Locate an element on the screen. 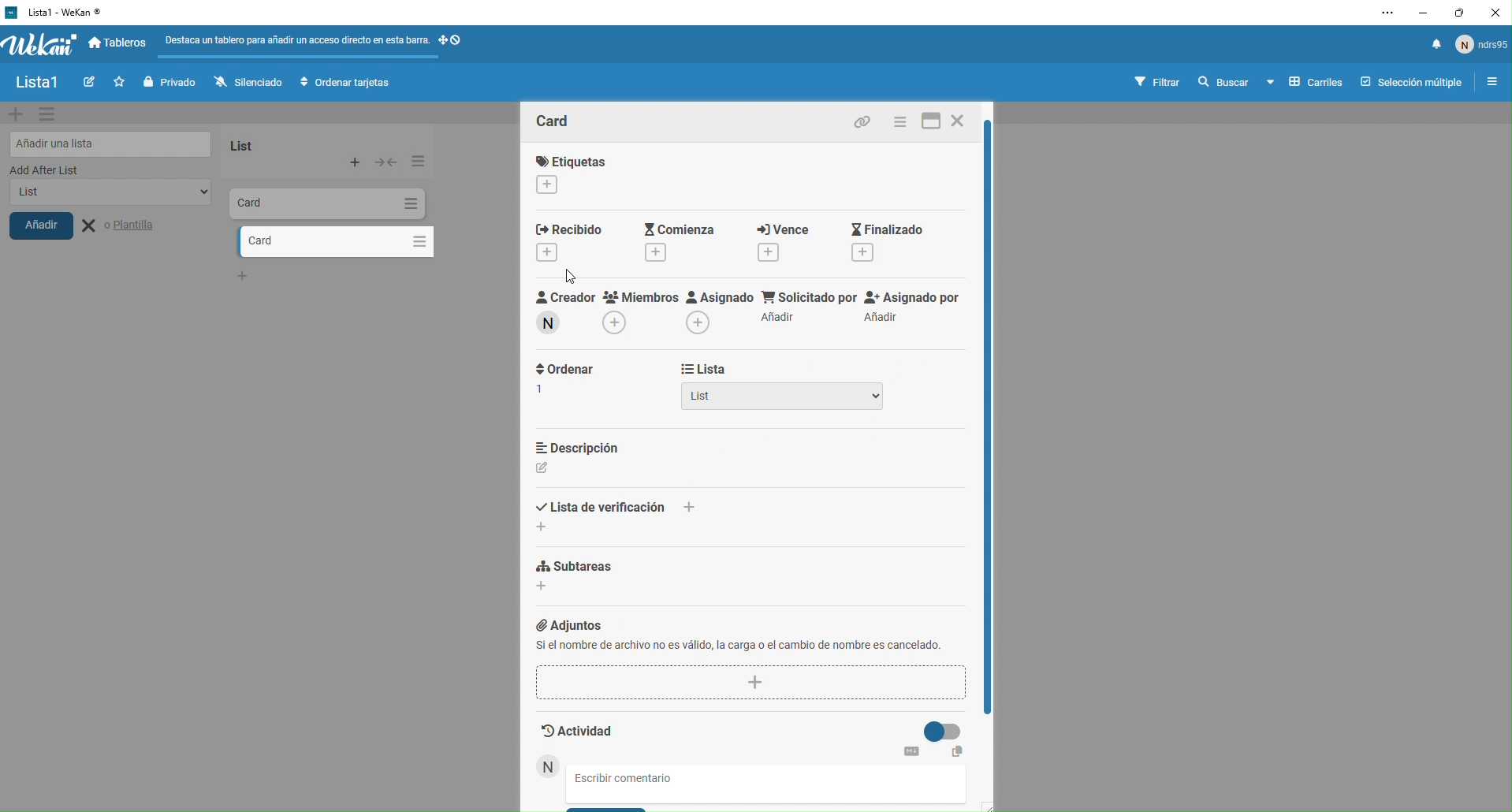 Image resolution: width=1512 pixels, height=812 pixels. Comienza is located at coordinates (676, 244).